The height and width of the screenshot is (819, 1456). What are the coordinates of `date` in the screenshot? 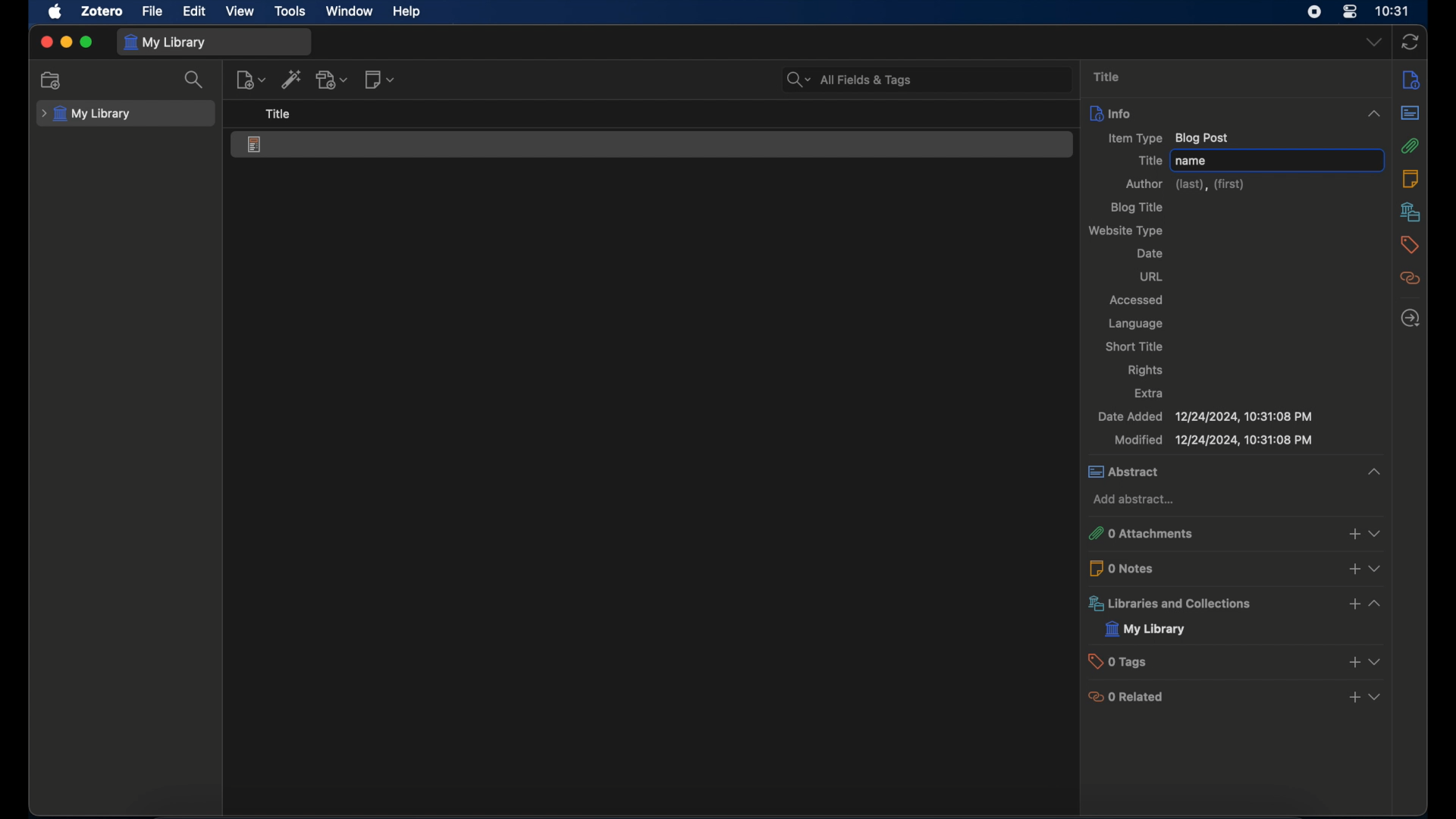 It's located at (1150, 253).